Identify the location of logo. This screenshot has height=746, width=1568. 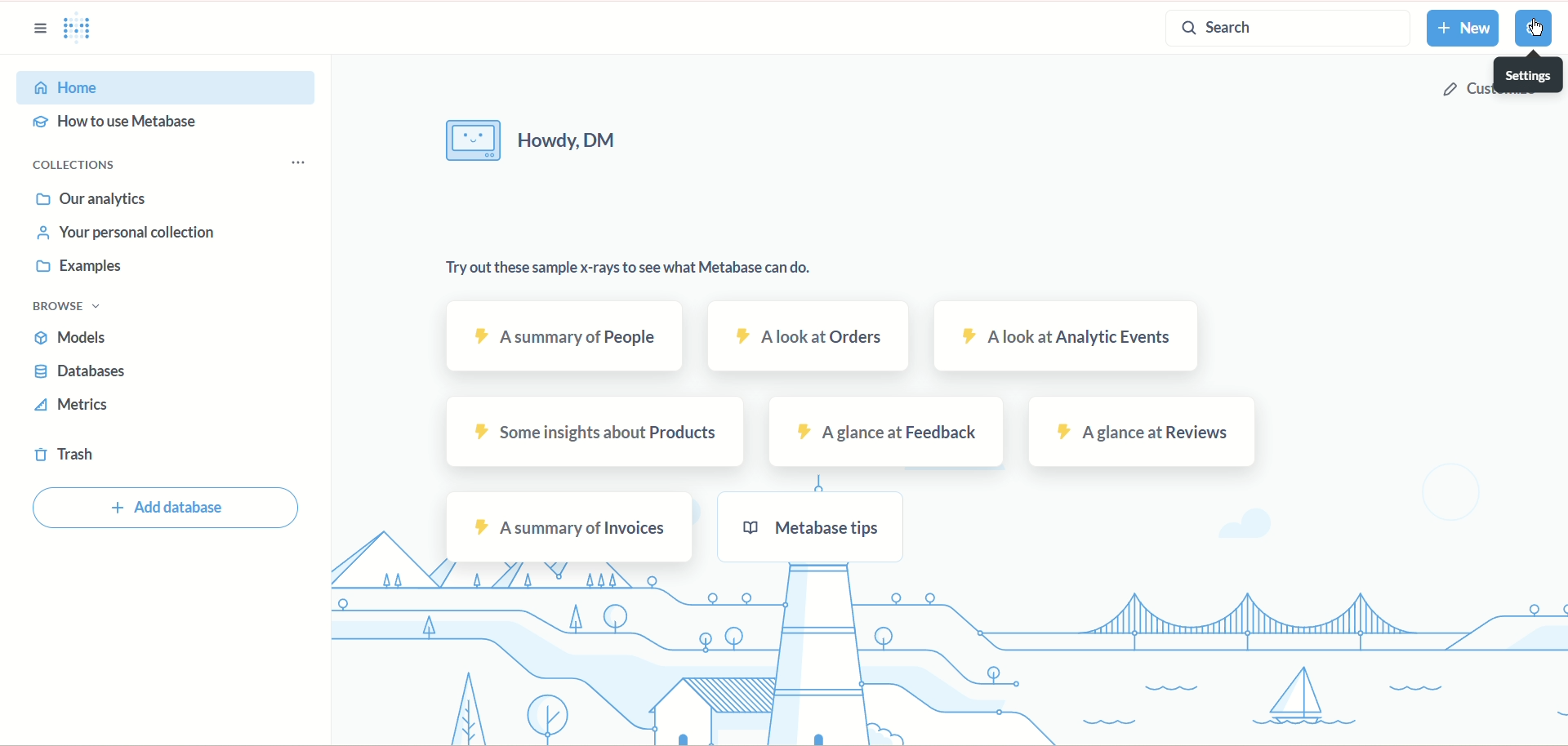
(80, 30).